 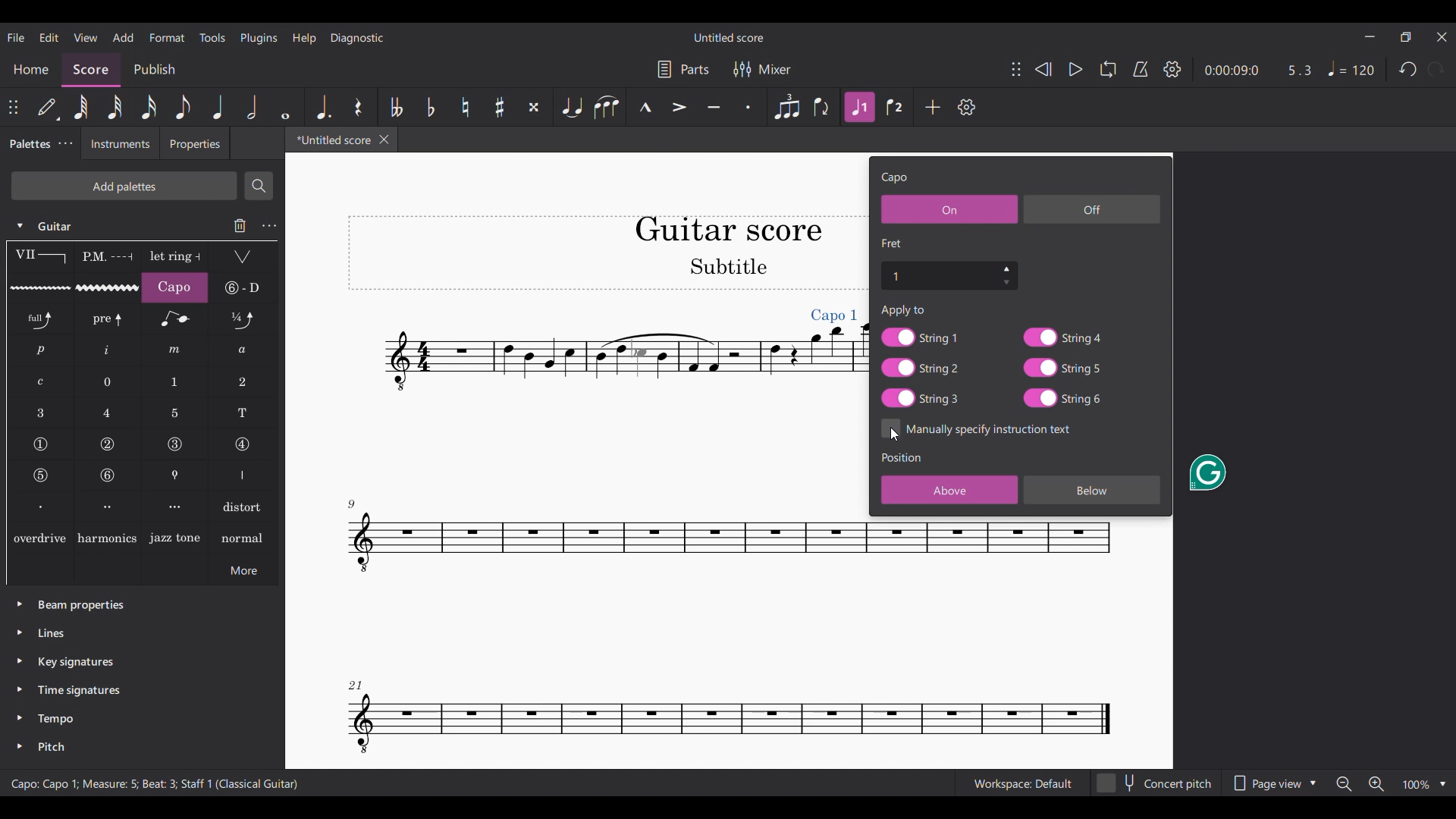 What do you see at coordinates (895, 178) in the screenshot?
I see `Setting title` at bounding box center [895, 178].